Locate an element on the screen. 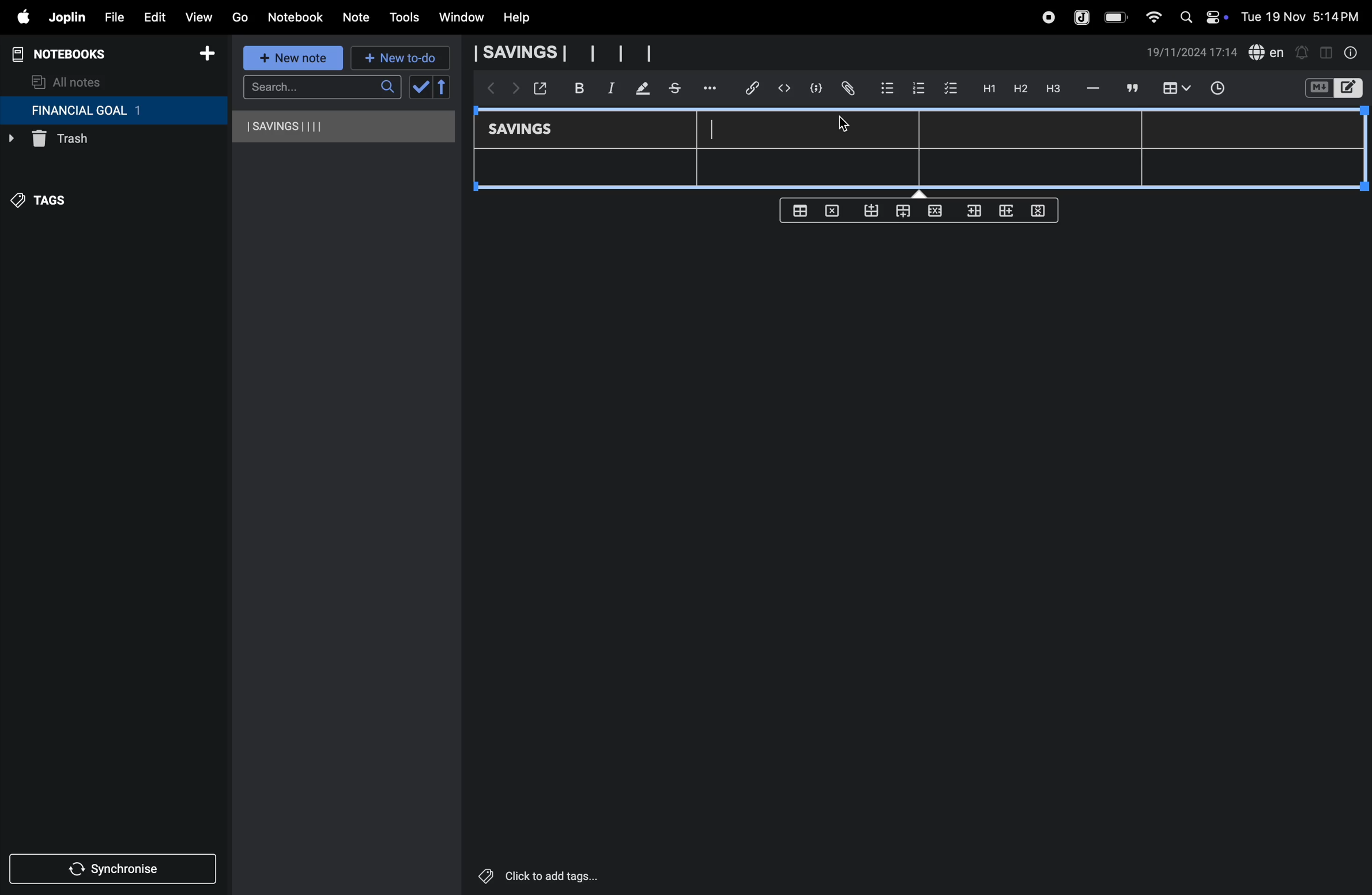 The width and height of the screenshot is (1372, 895). hyper link is located at coordinates (756, 88).